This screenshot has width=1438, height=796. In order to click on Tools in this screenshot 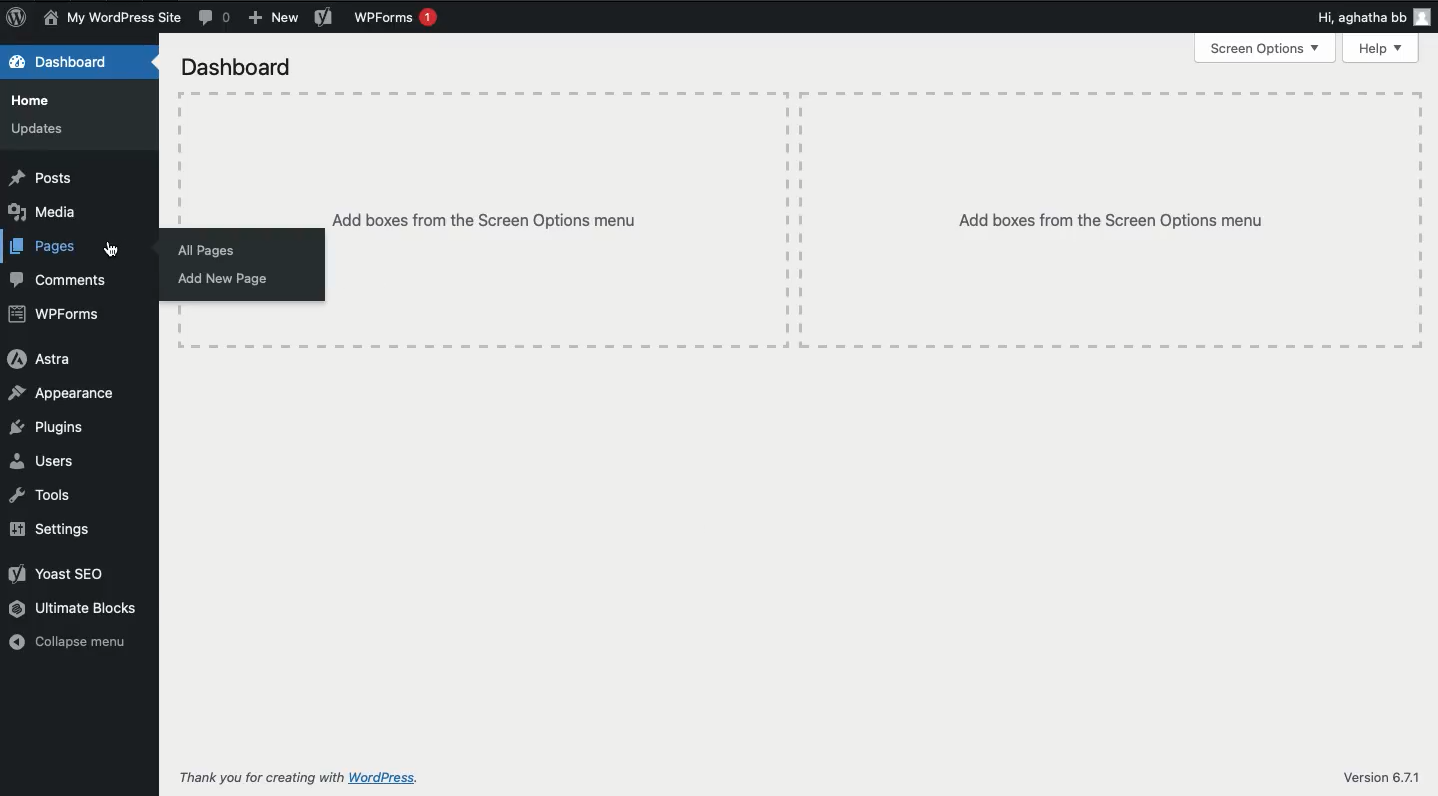, I will do `click(41, 497)`.